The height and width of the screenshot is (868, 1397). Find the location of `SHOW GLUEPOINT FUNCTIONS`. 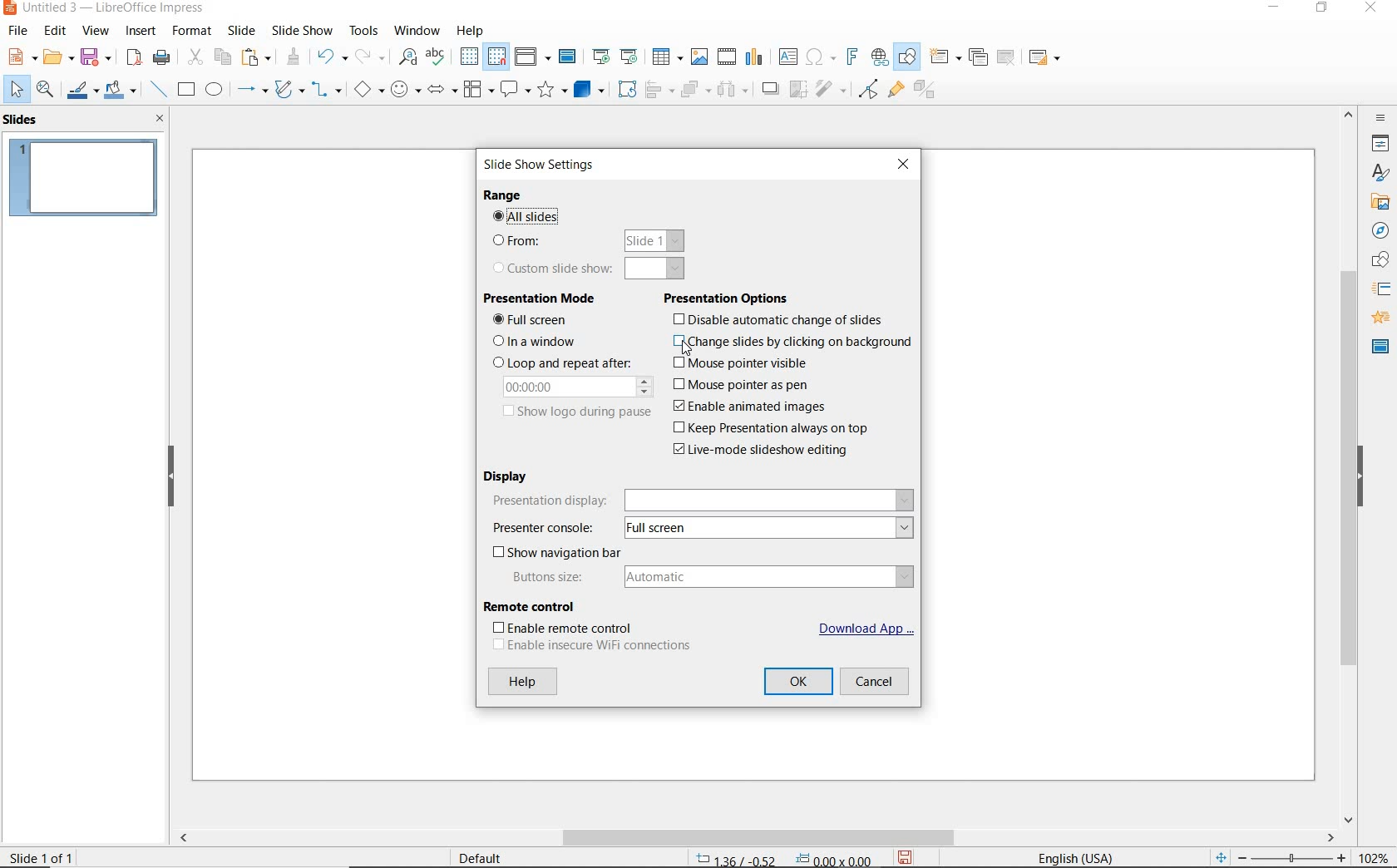

SHOW GLUEPOINT FUNCTIONS is located at coordinates (896, 90).